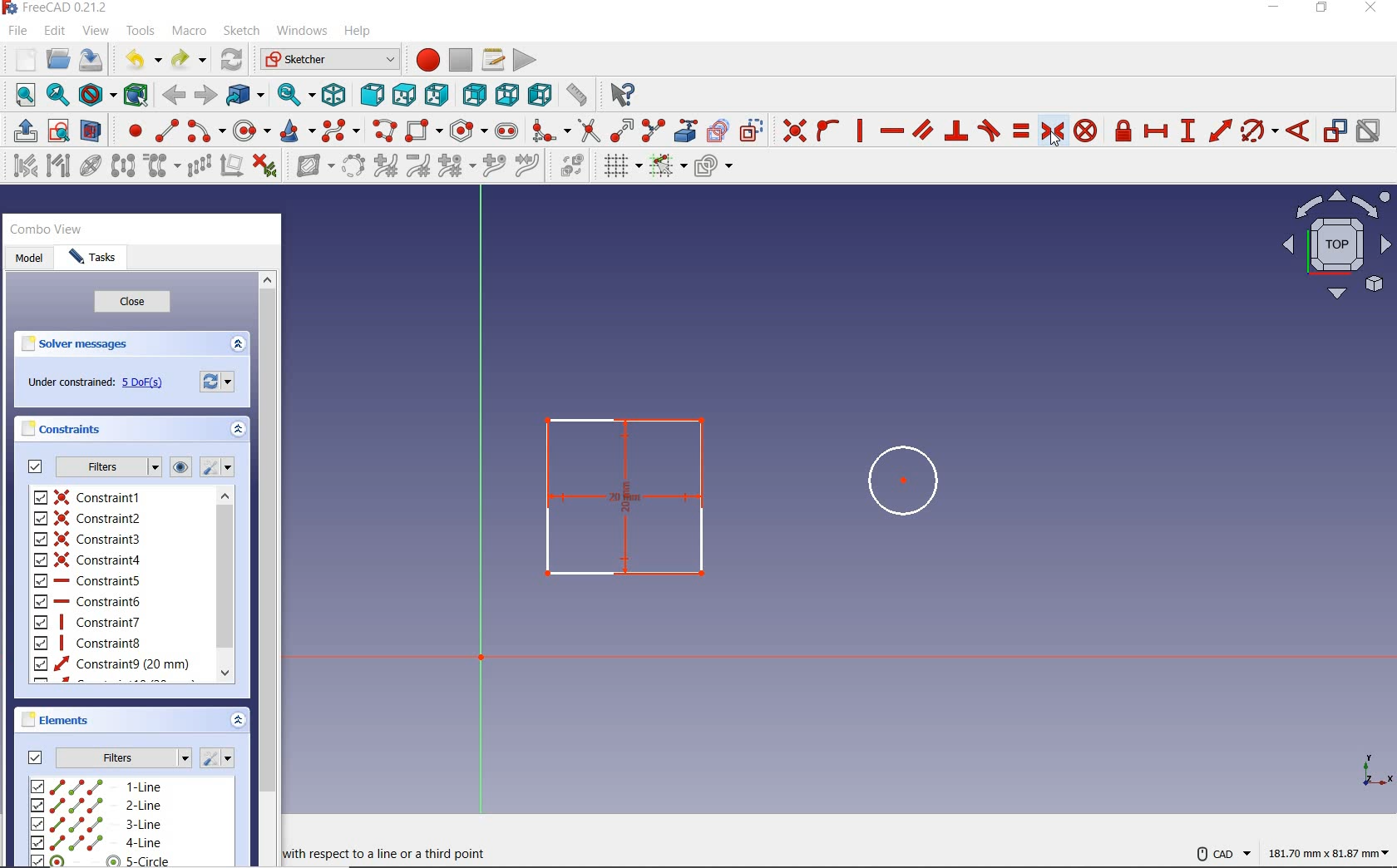  I want to click on macros, so click(495, 60).